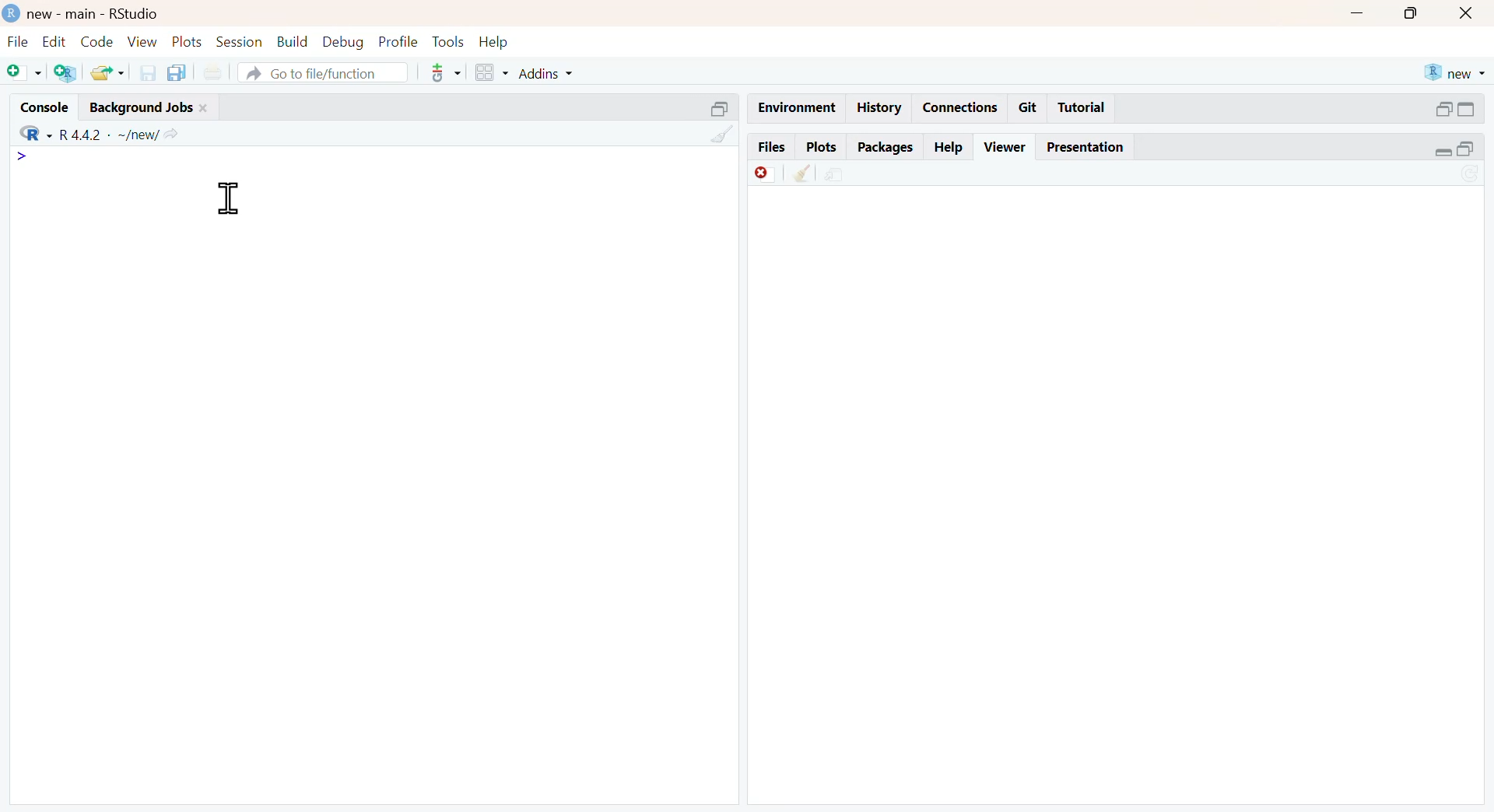 The image size is (1494, 812). I want to click on git, so click(1029, 107).